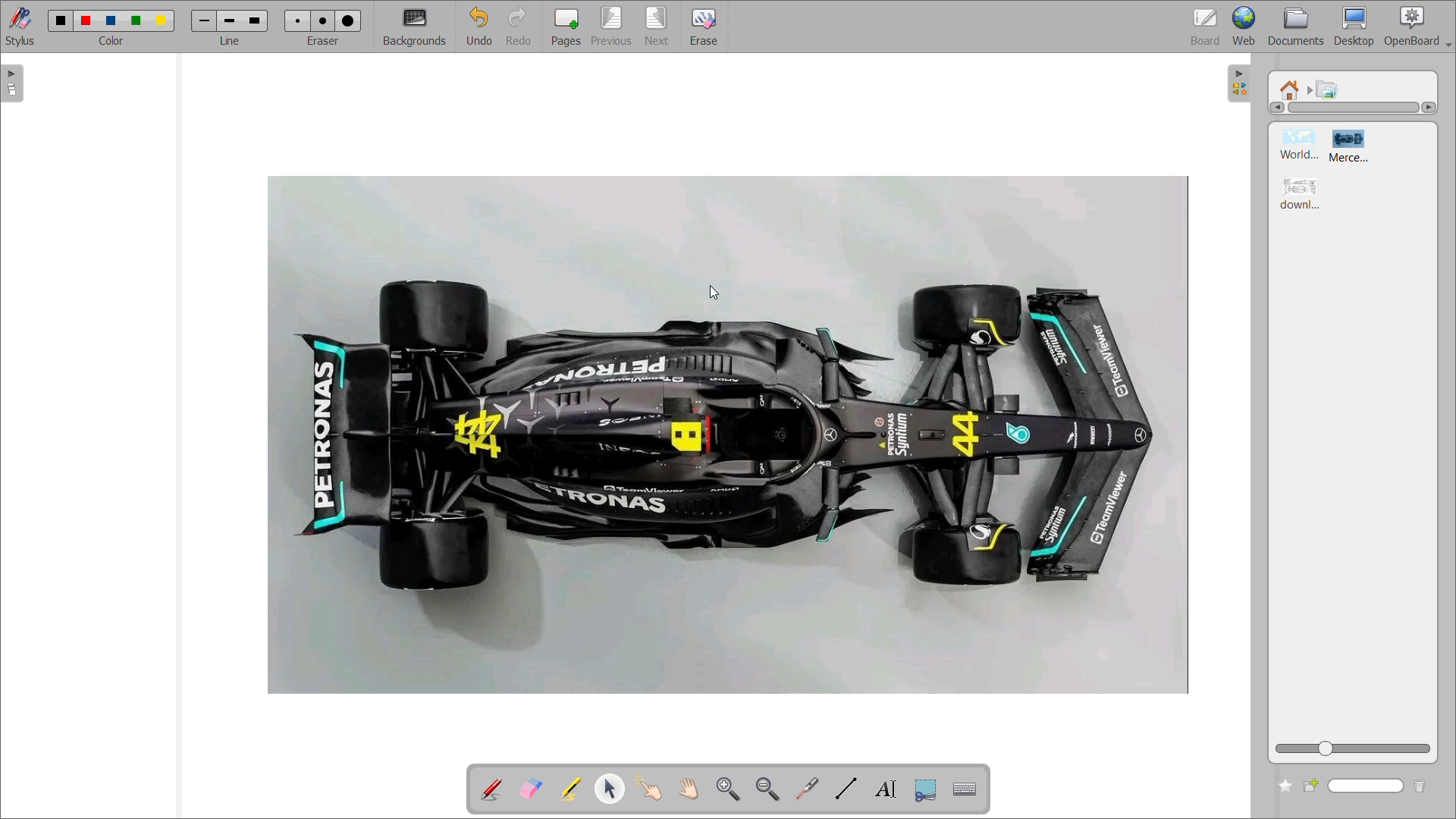  What do you see at coordinates (1354, 107) in the screenshot?
I see `horizontal scroll bar` at bounding box center [1354, 107].